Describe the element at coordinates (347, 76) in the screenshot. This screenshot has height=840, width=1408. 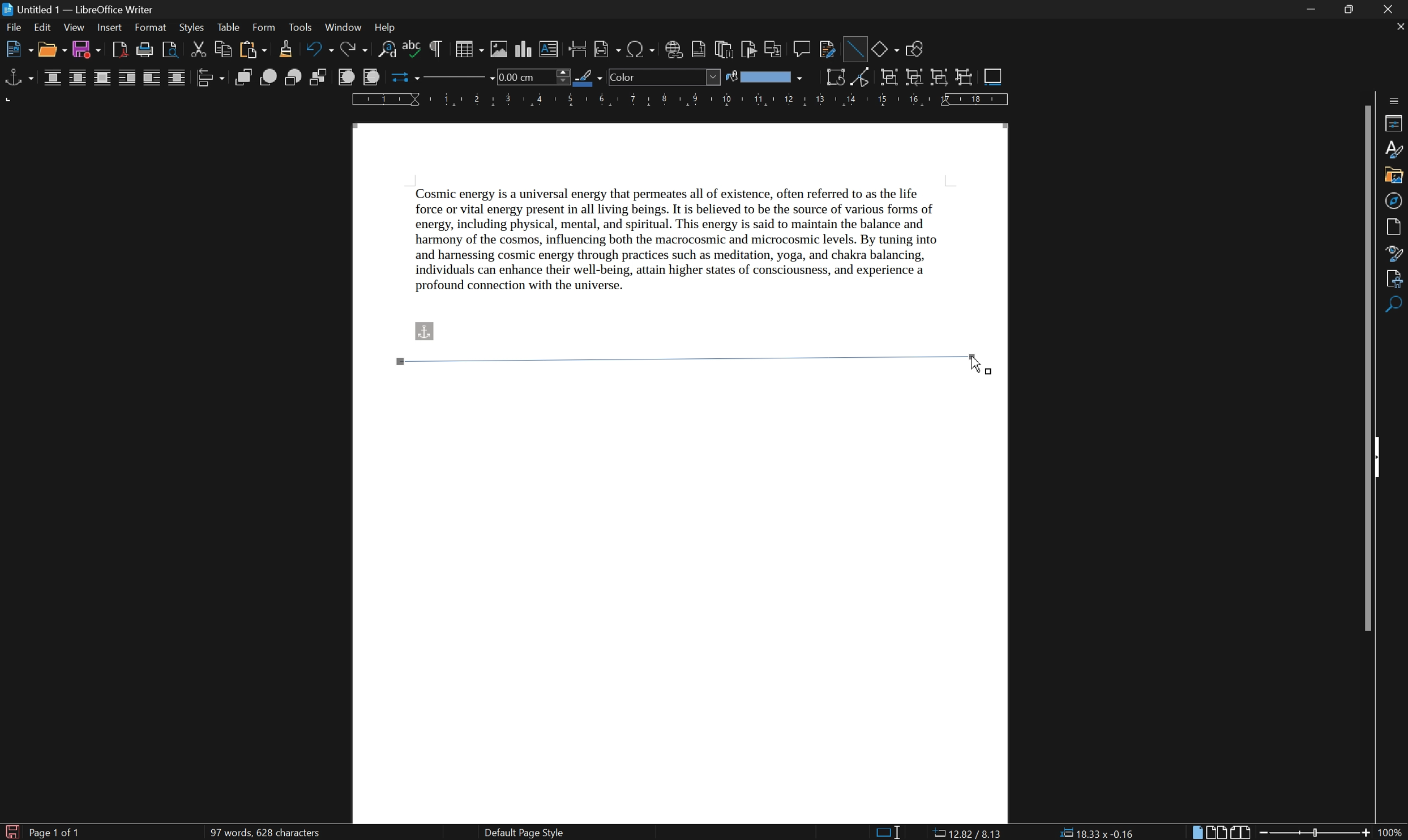
I see `to foreground` at that location.